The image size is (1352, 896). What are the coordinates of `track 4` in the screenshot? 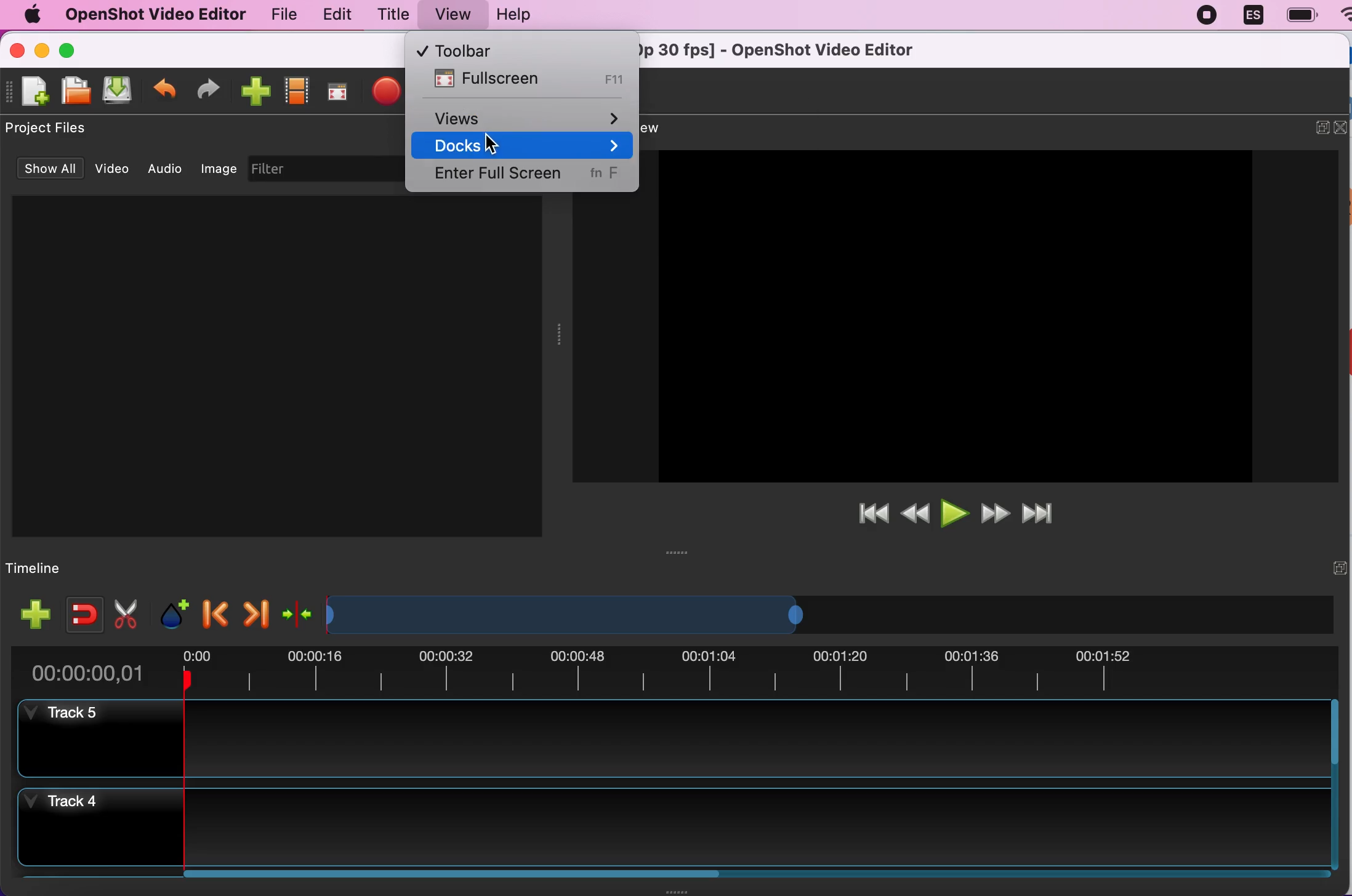 It's located at (672, 827).